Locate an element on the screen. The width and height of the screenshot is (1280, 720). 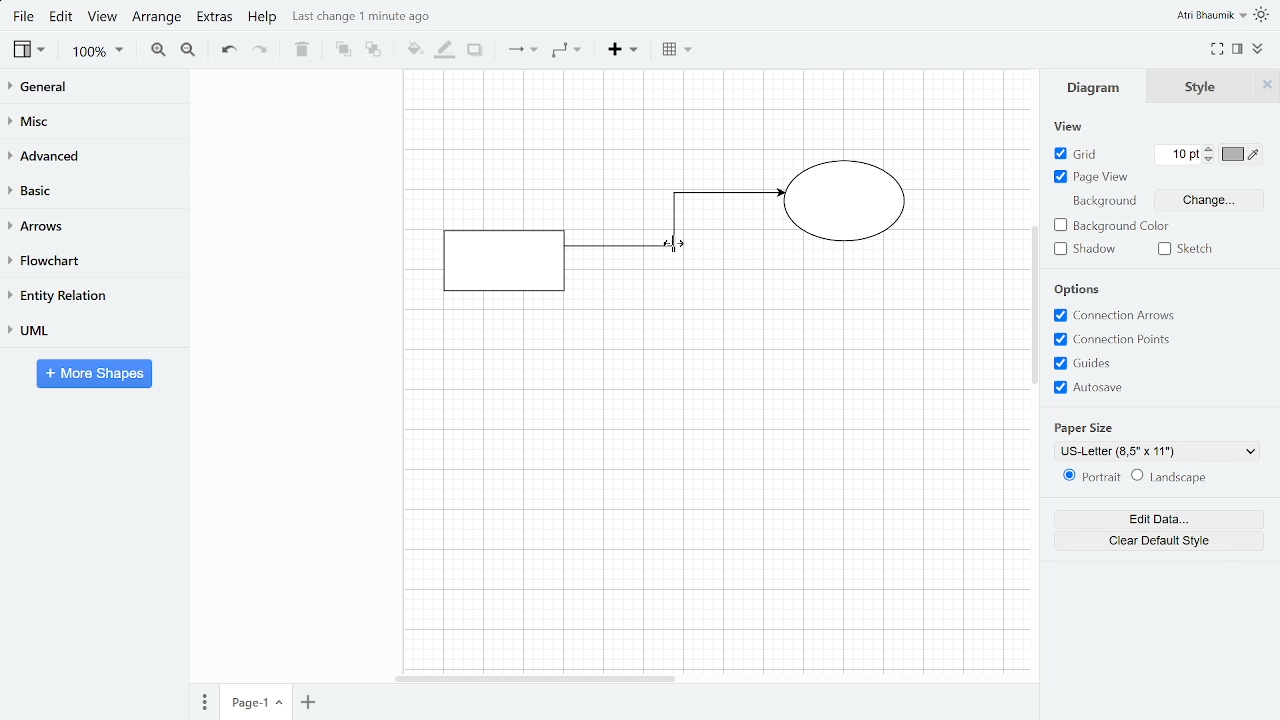
Fullscreen is located at coordinates (1218, 49).